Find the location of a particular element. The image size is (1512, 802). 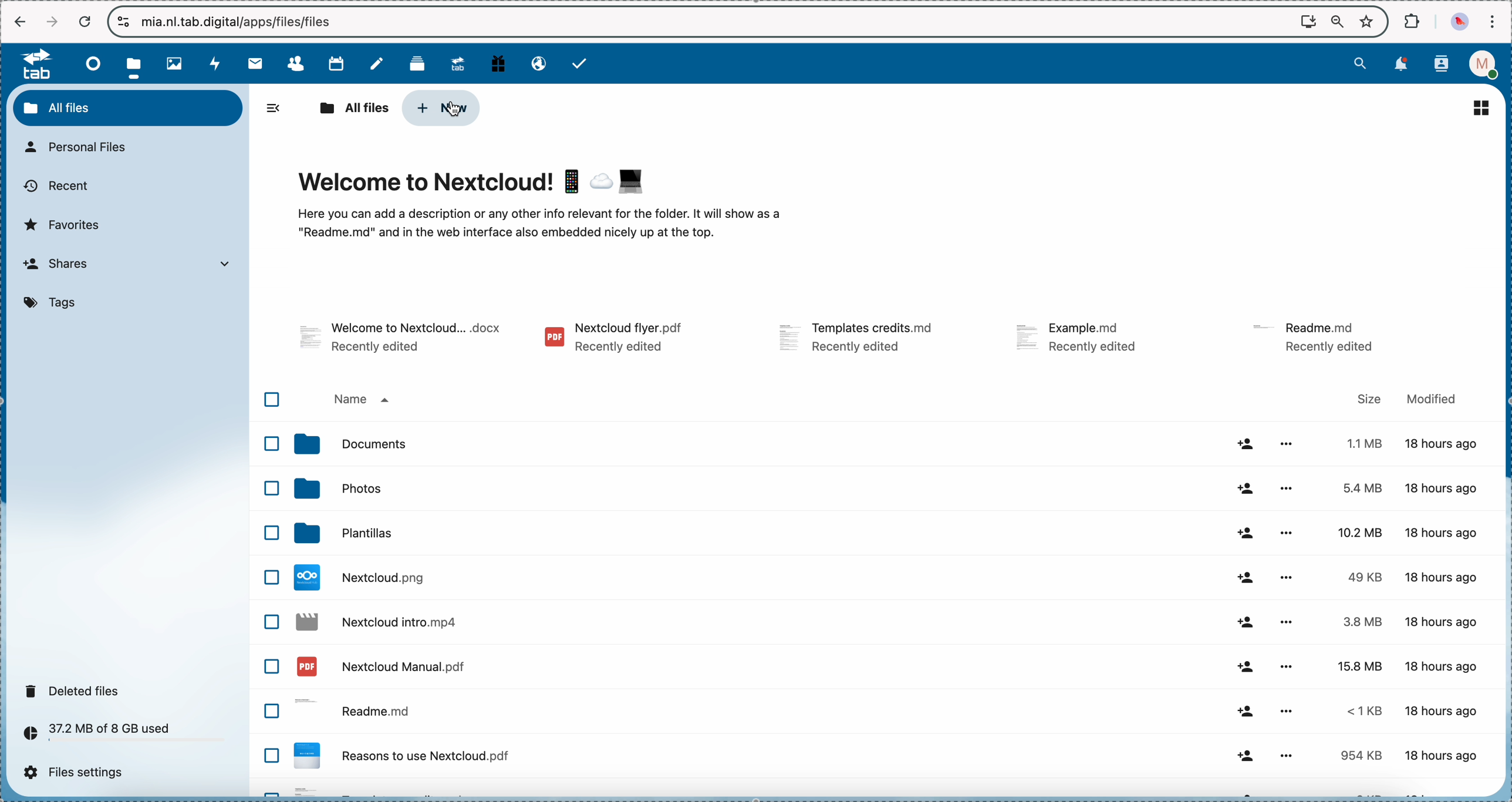

photos is located at coordinates (752, 488).